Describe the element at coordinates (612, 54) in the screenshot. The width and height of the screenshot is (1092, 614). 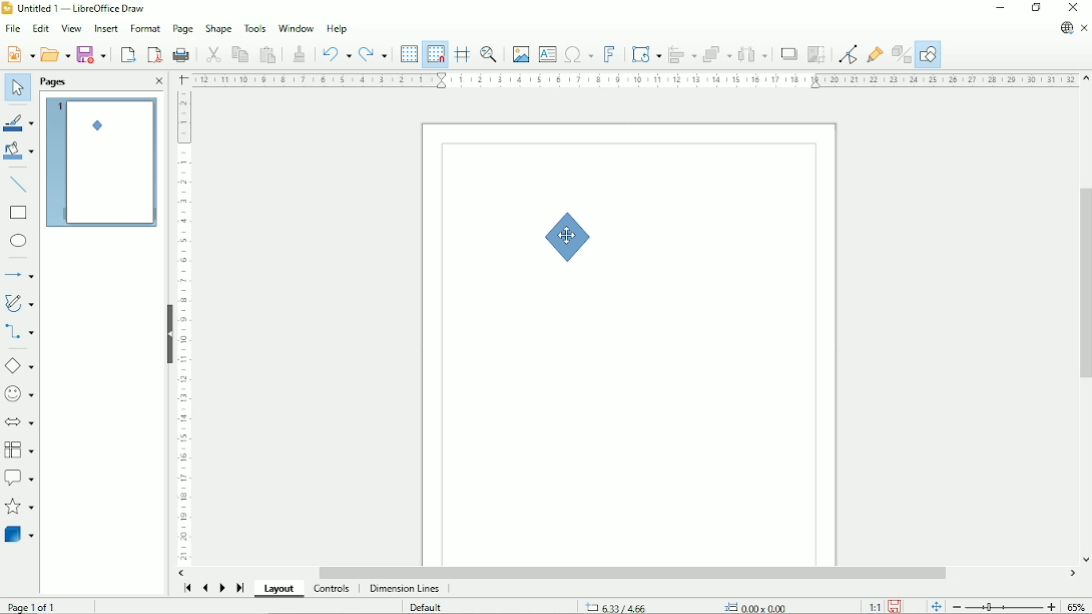
I see `Insert fontwork text` at that location.